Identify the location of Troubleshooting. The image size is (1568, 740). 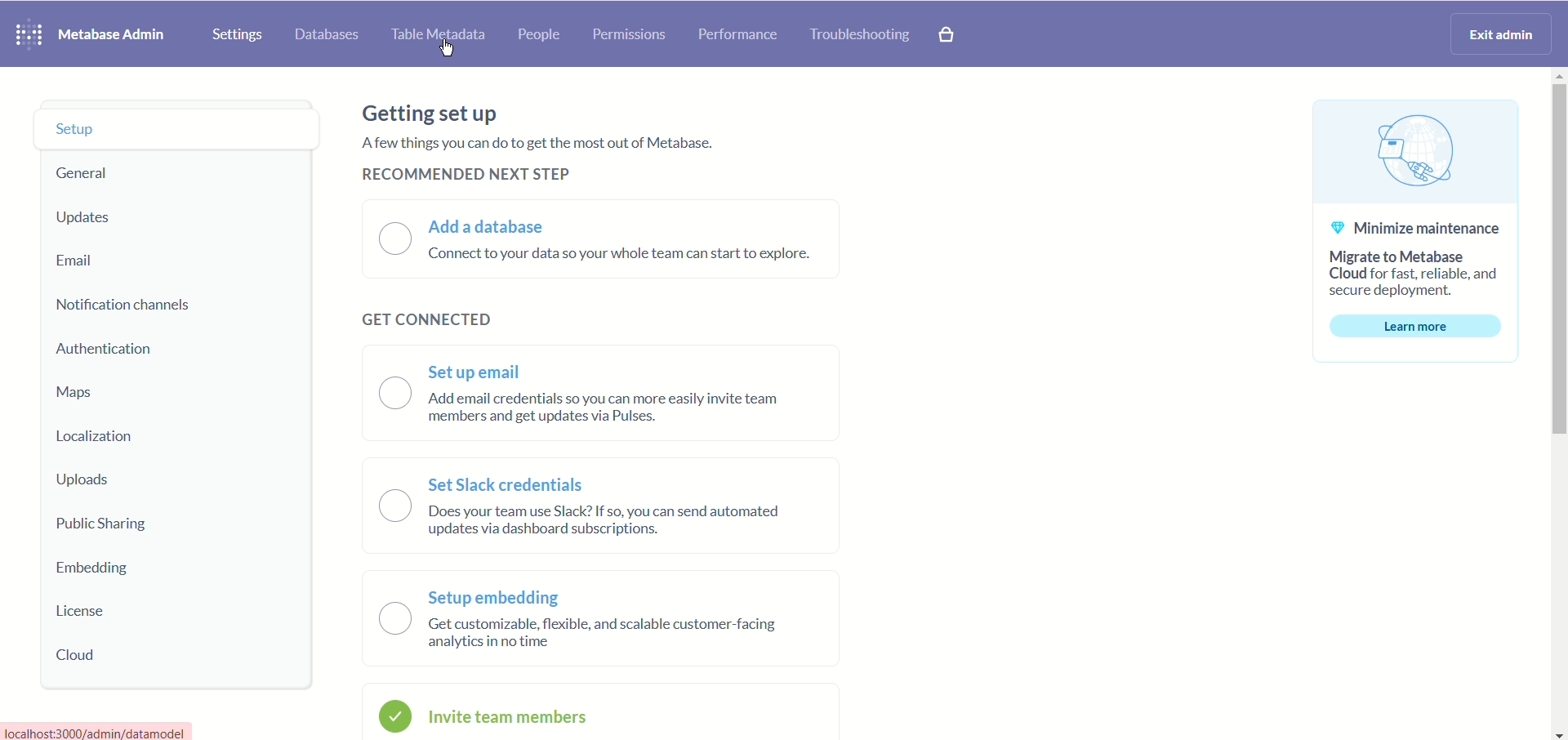
(860, 33).